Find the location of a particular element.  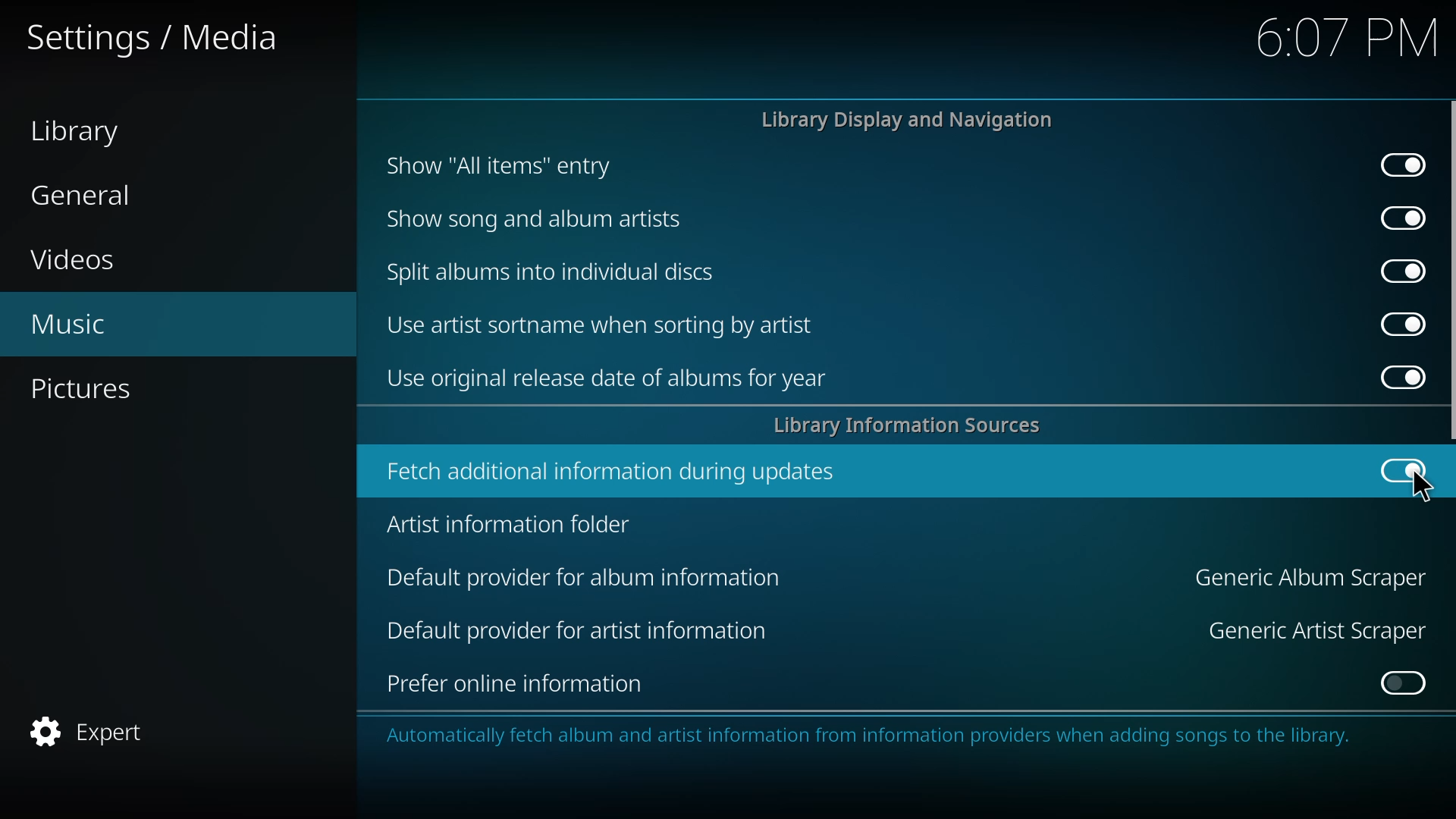

library display and navigation is located at coordinates (907, 120).